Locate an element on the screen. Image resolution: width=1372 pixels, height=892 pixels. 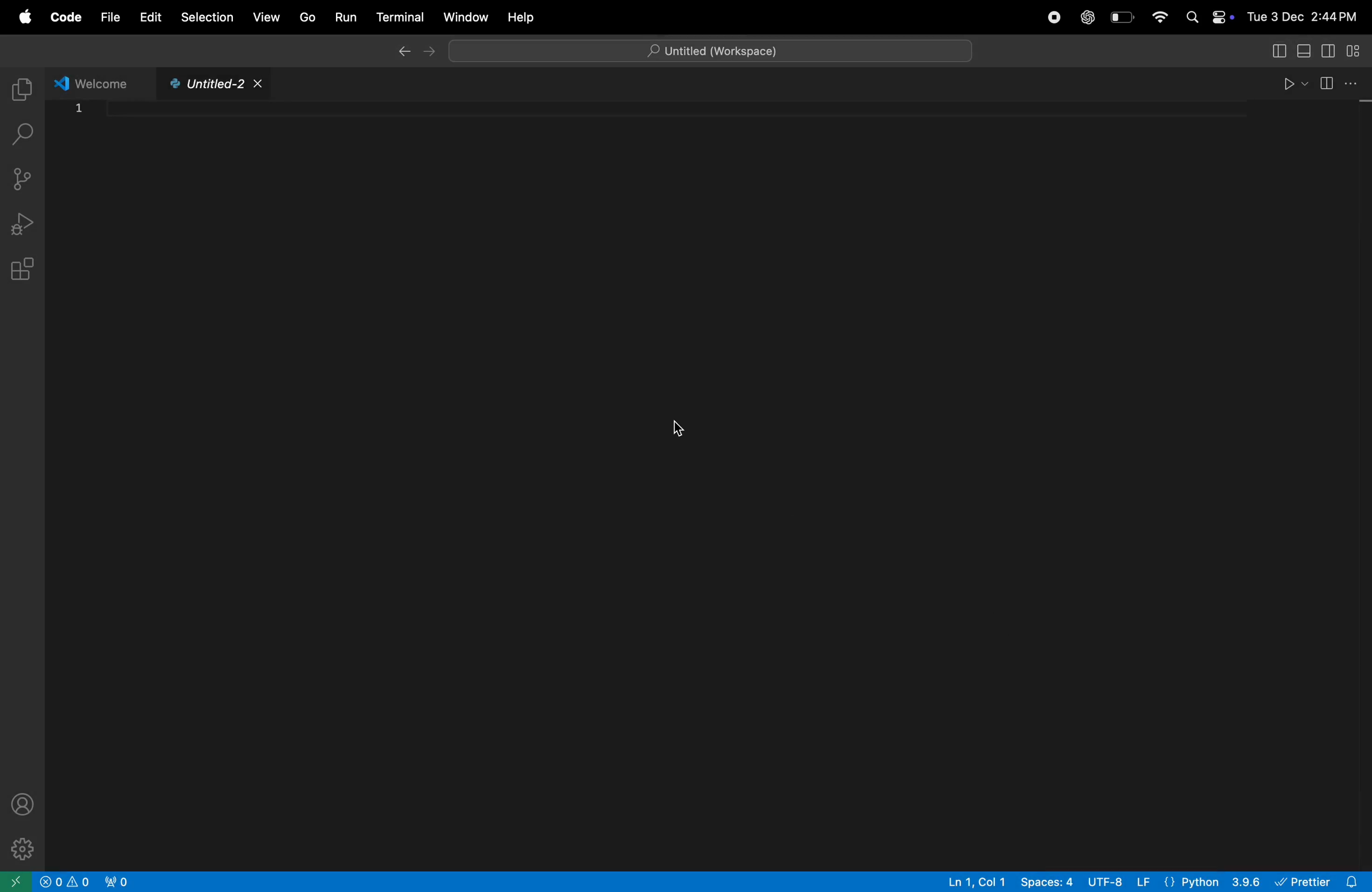
prettier extensions is located at coordinates (1321, 881).